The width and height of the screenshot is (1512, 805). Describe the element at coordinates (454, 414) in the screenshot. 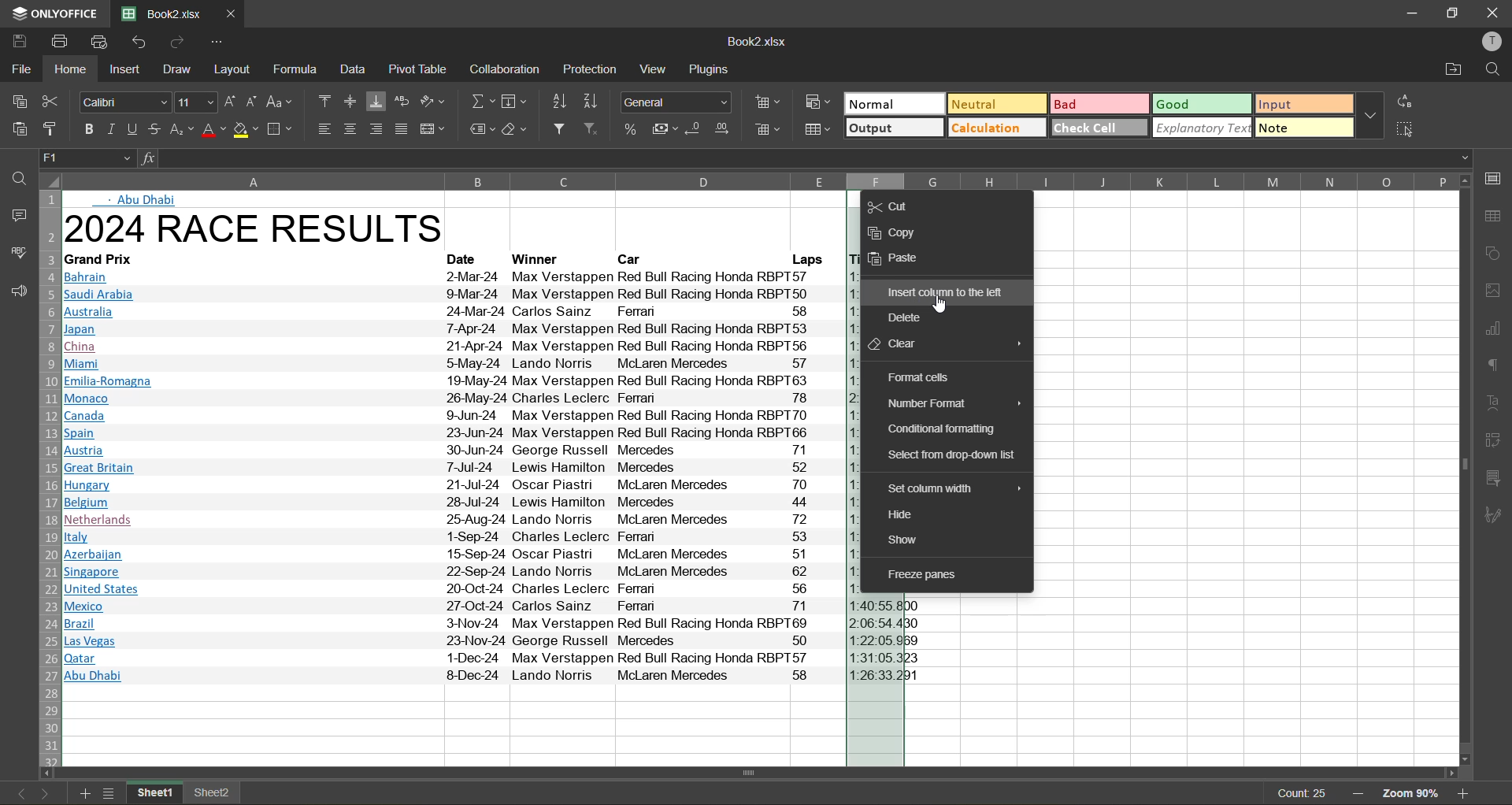

I see `Canada 99-Jun-24 Max Verstappen Red Bull Racing Honda RBPT70 1:45:47 927` at that location.